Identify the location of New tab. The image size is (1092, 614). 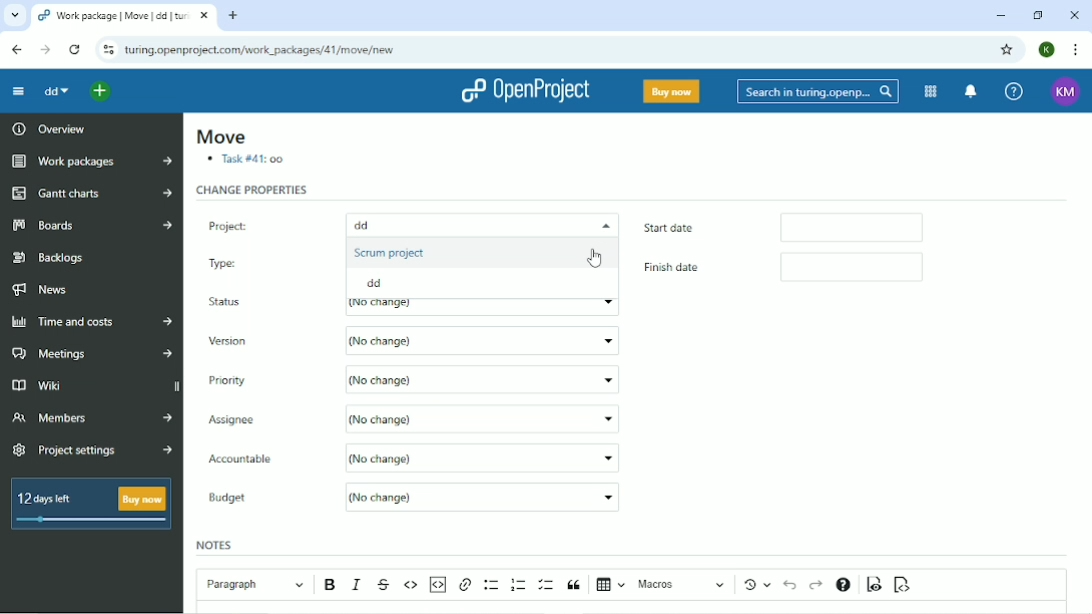
(233, 15).